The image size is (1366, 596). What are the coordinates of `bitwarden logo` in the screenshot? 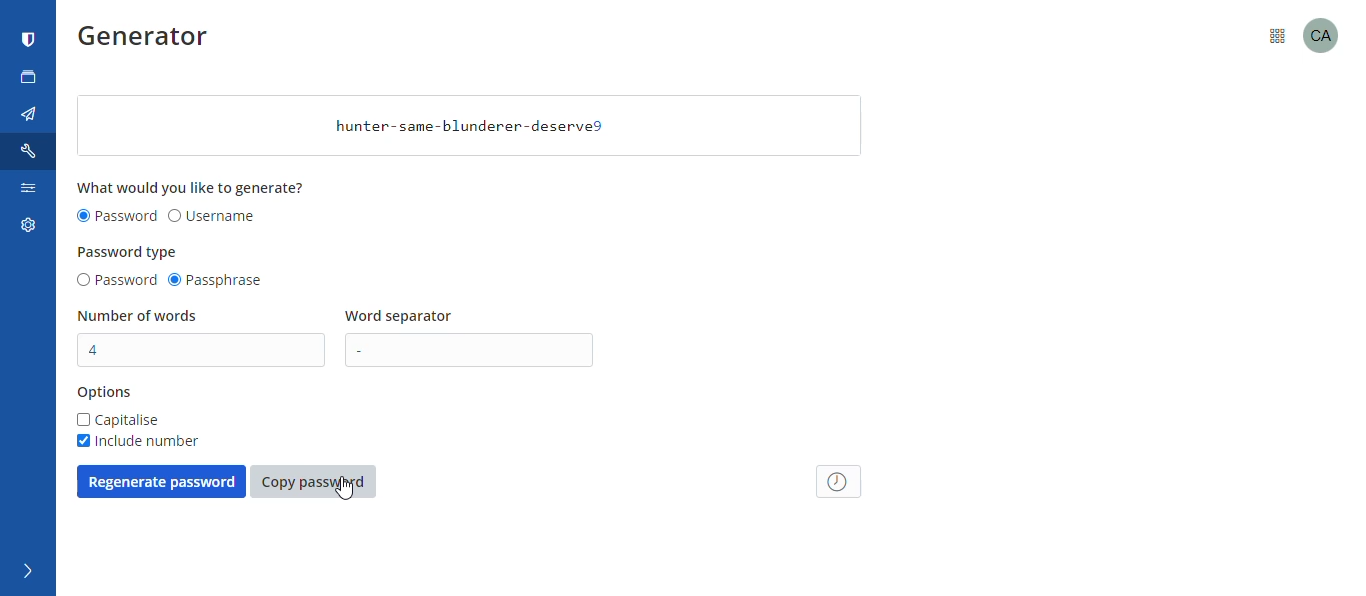 It's located at (29, 40).